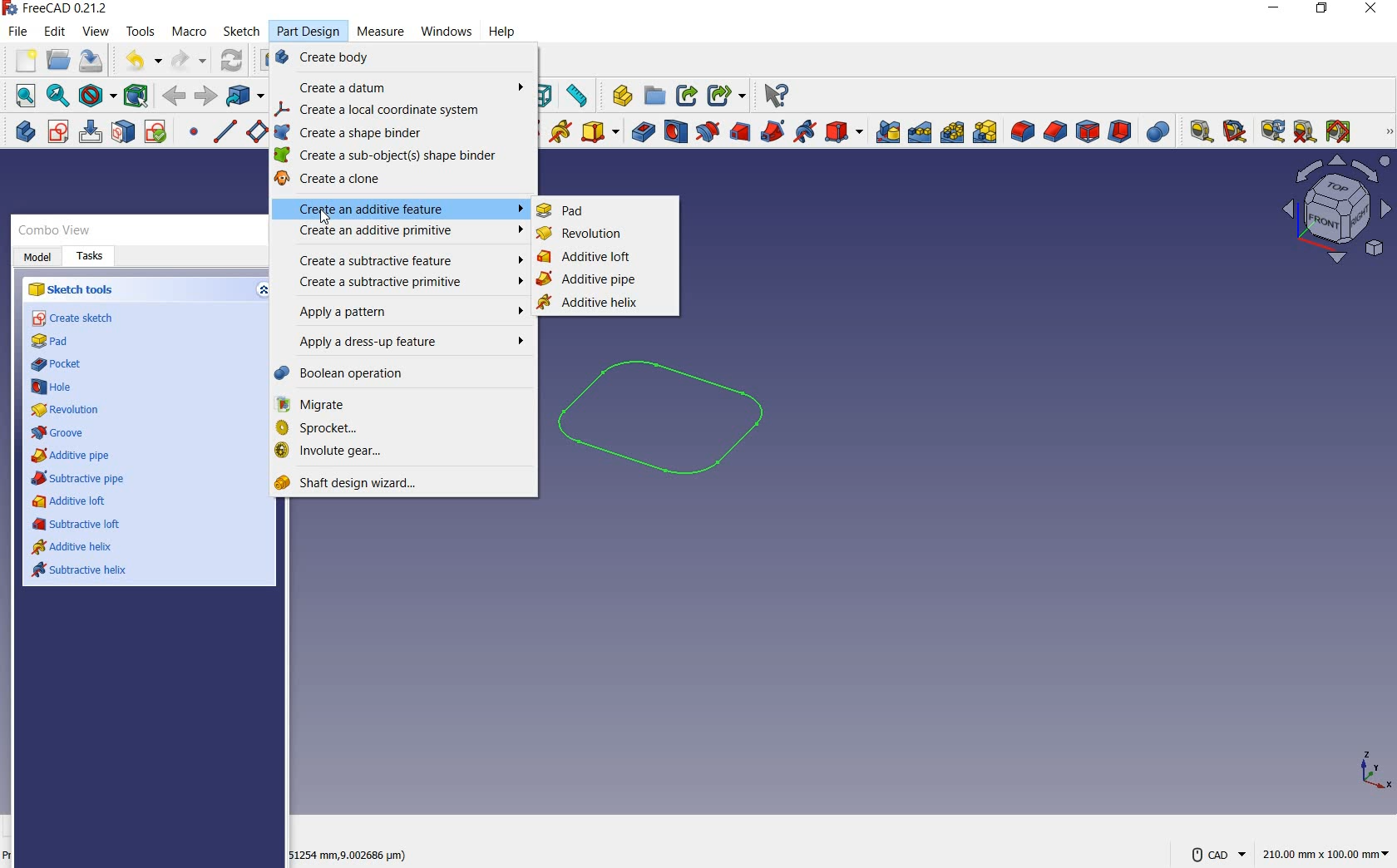 This screenshot has height=868, width=1397. I want to click on Part Design, so click(312, 32).